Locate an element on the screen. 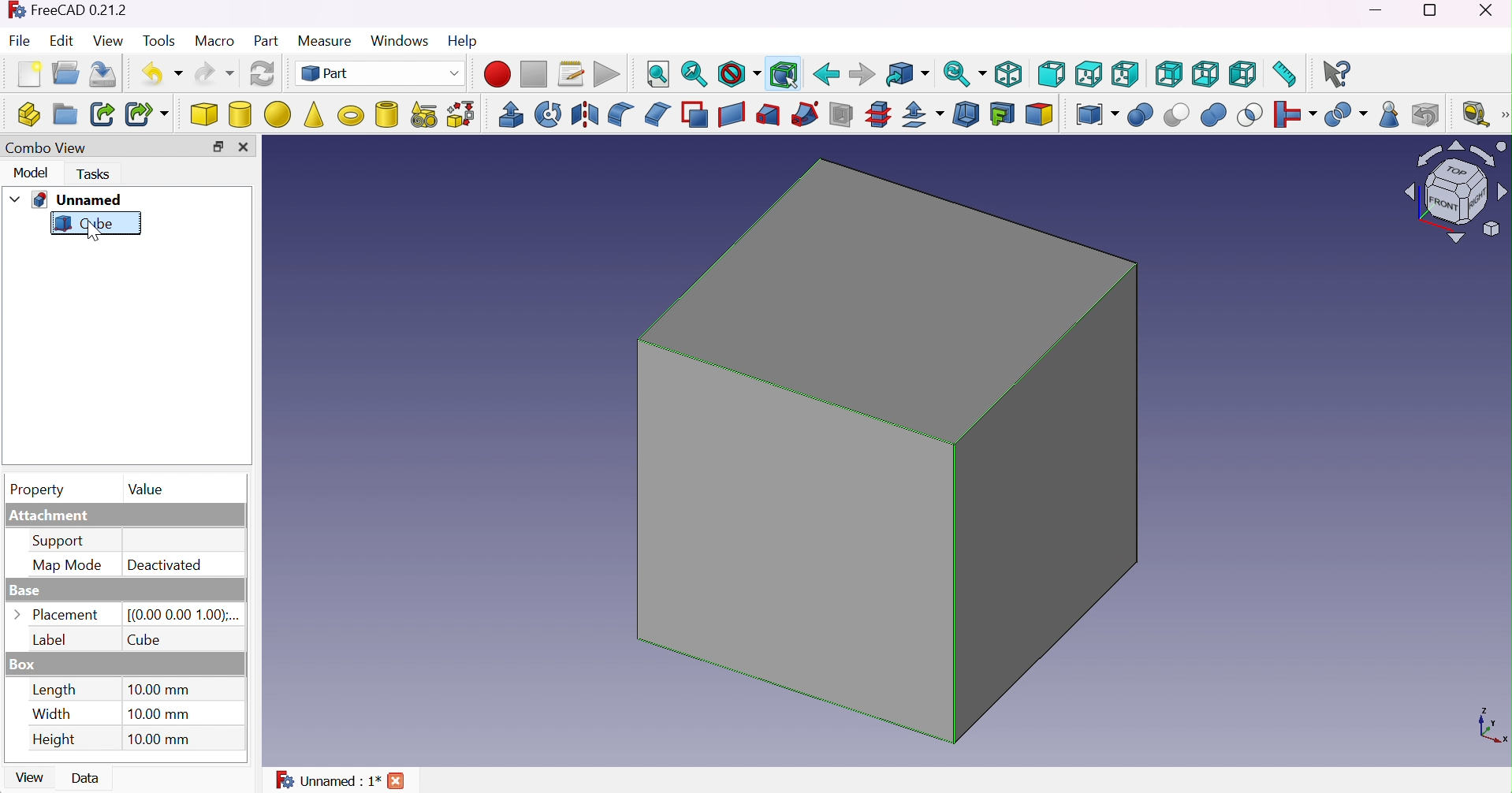 This screenshot has height=793, width=1512. Base is located at coordinates (23, 591).